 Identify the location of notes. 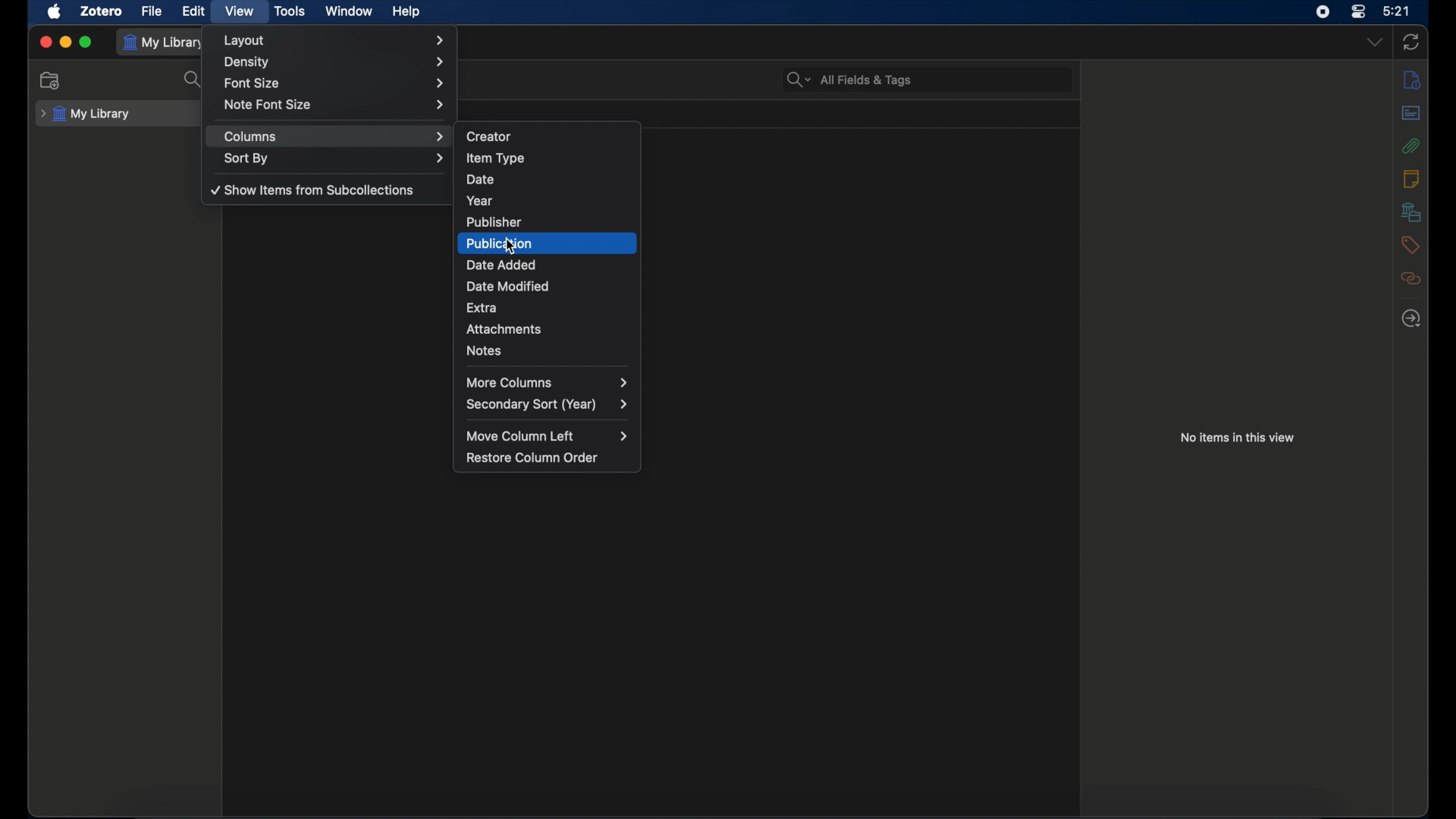
(1411, 178).